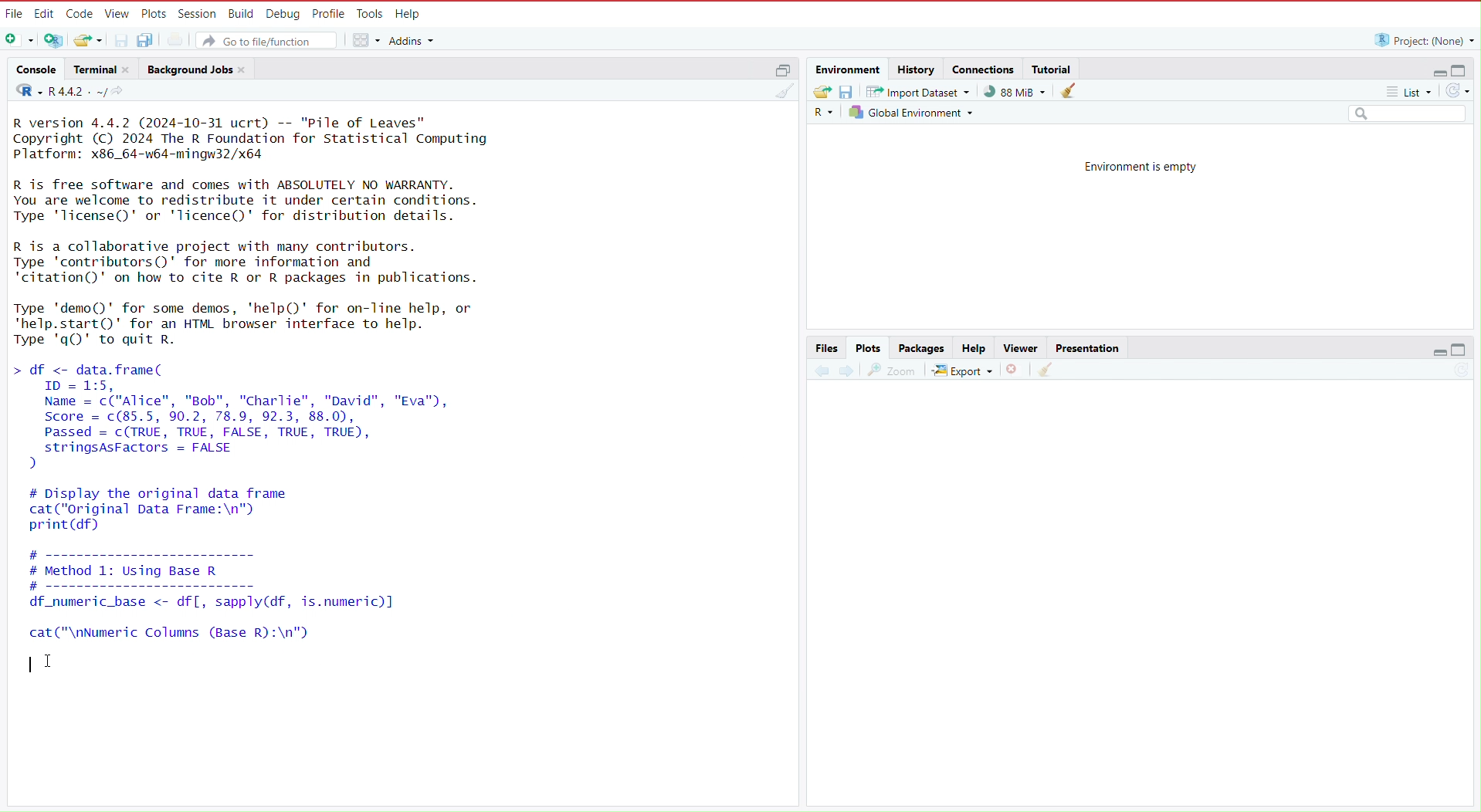 This screenshot has width=1481, height=812. Describe the element at coordinates (22, 90) in the screenshot. I see `language select` at that location.